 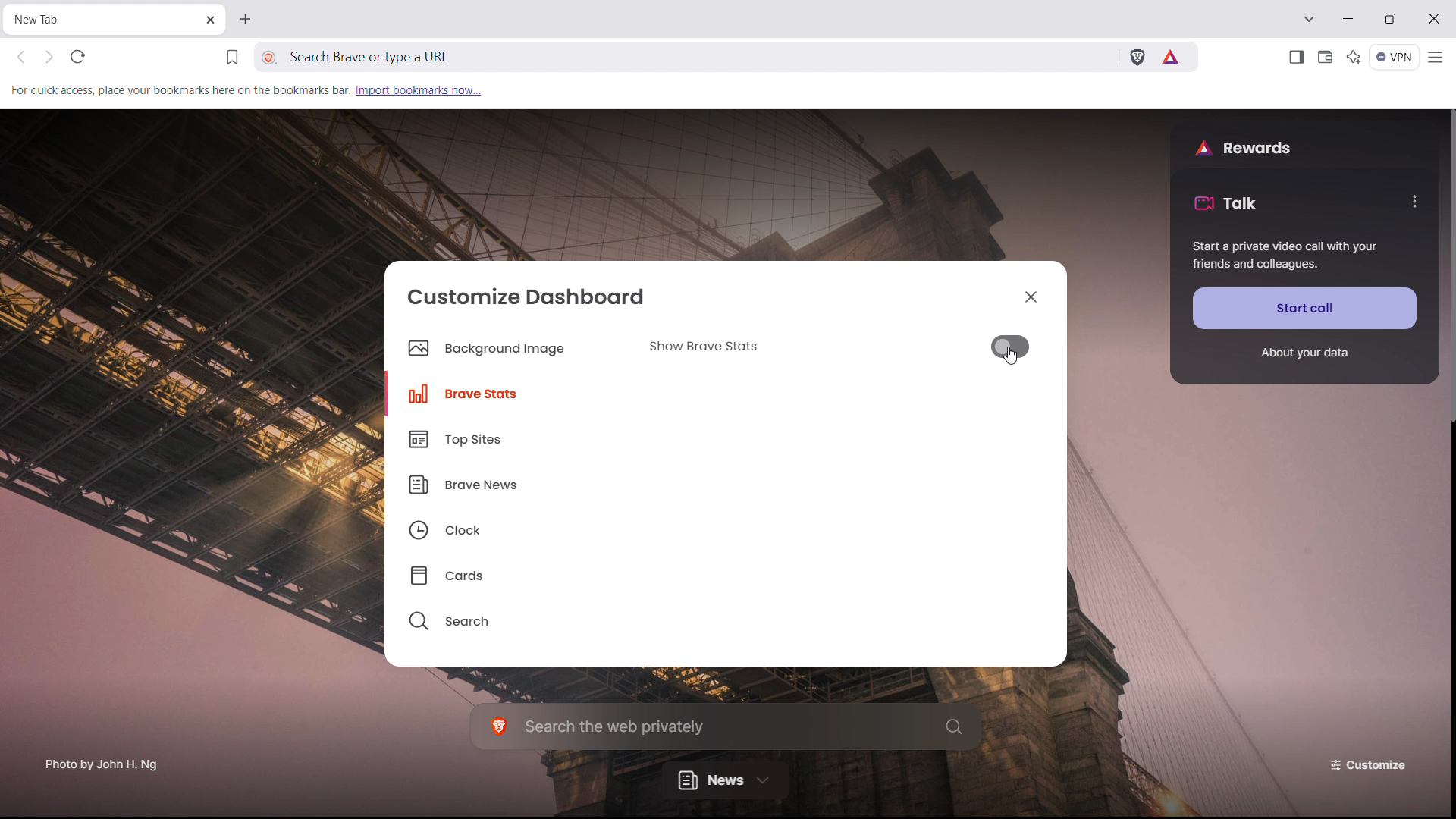 I want to click on close tab, so click(x=209, y=21).